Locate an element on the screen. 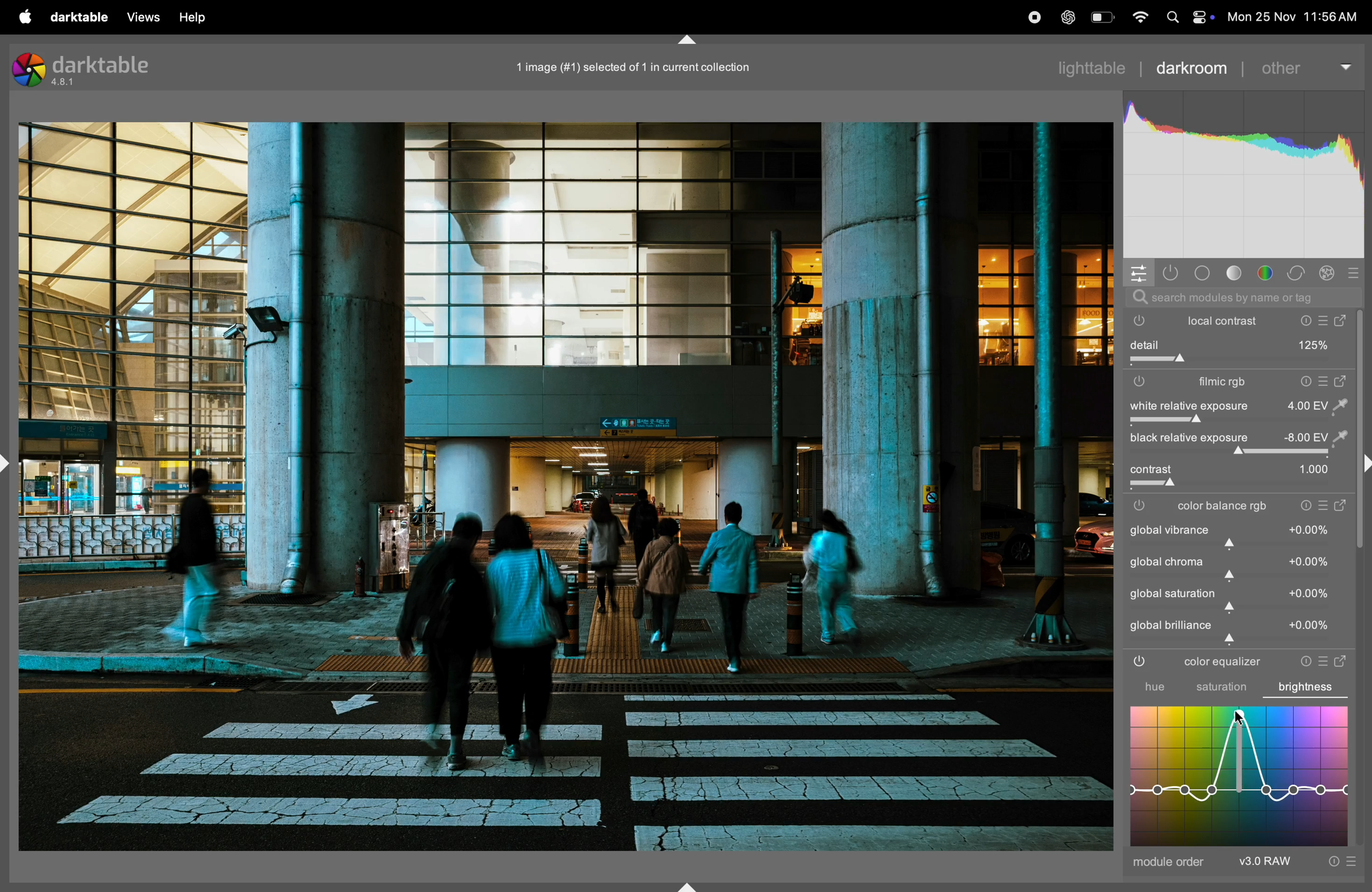  presets is located at coordinates (1325, 659).